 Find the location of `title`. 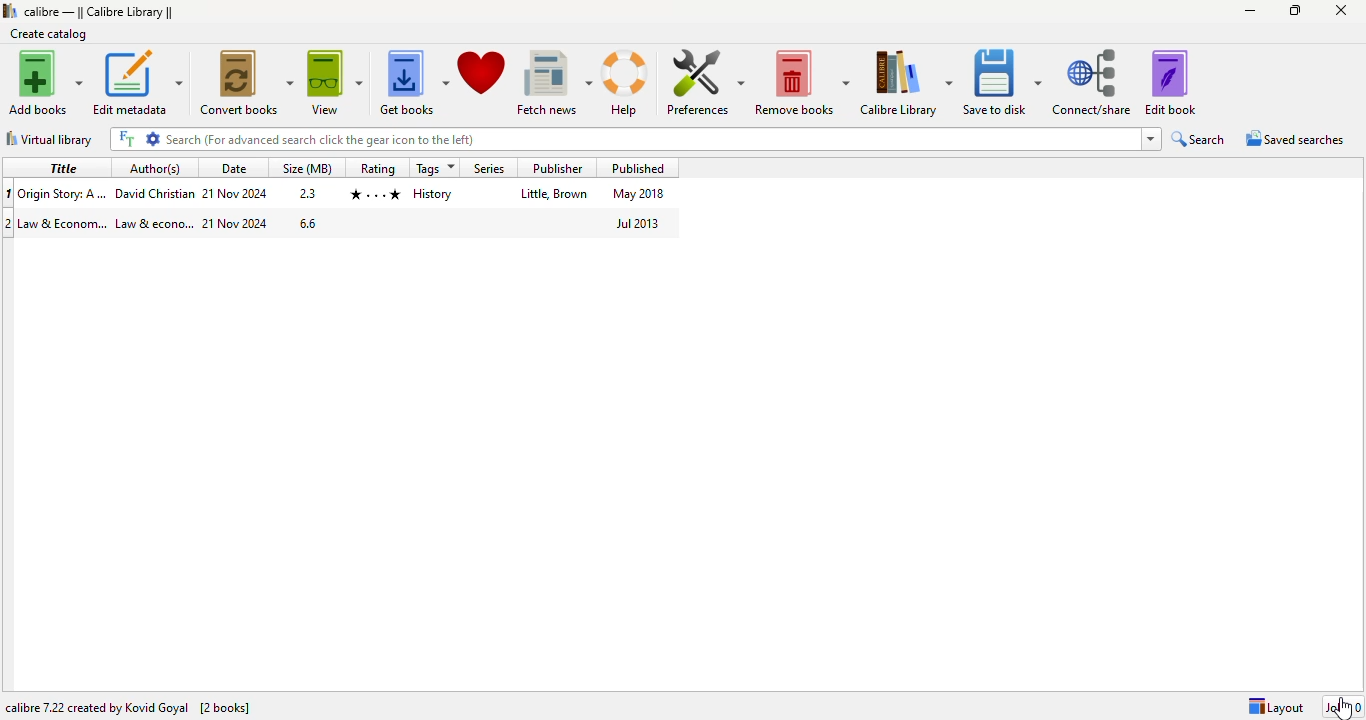

title is located at coordinates (64, 222).